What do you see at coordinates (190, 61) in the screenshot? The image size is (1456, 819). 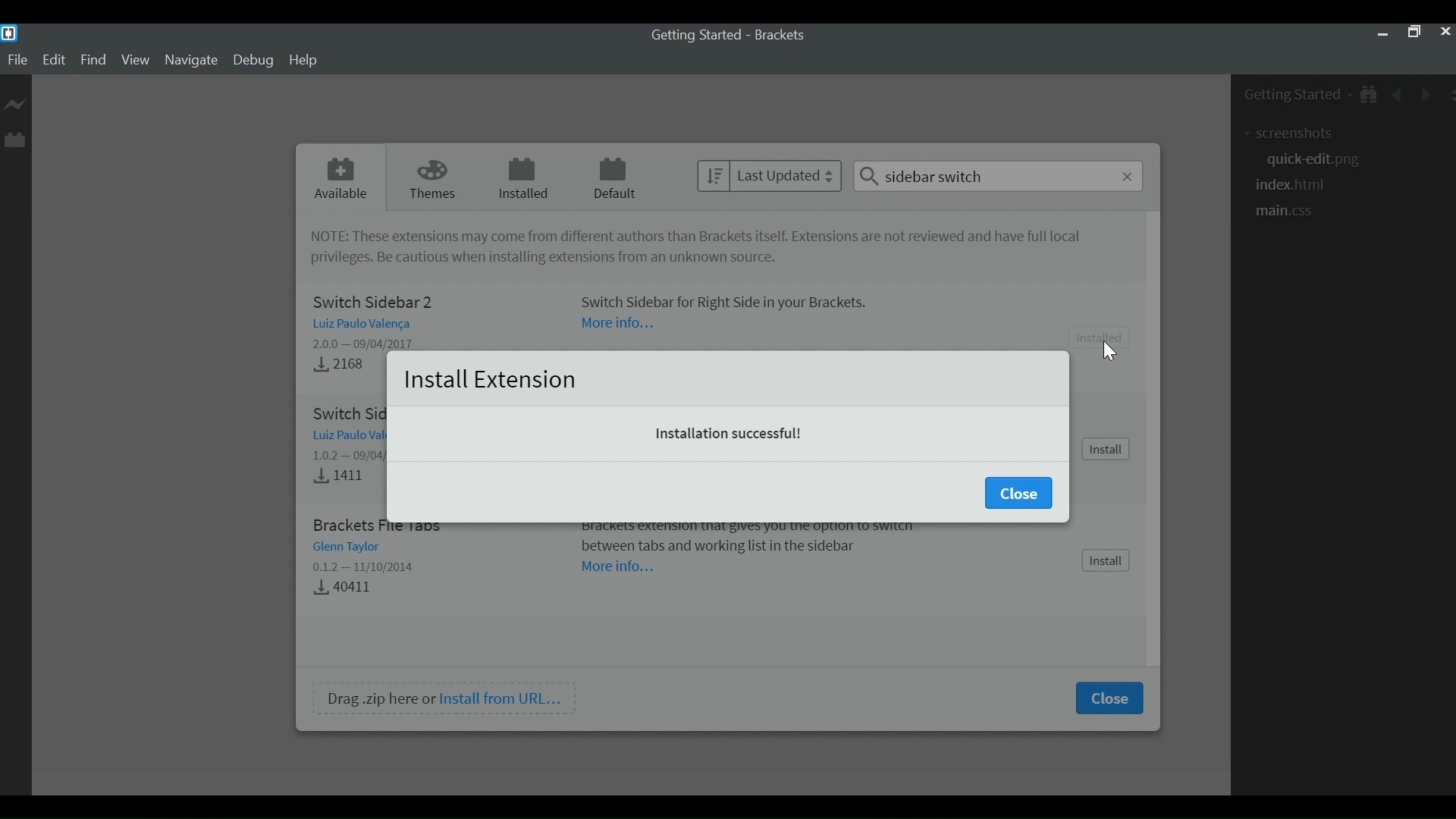 I see `Navigate` at bounding box center [190, 61].